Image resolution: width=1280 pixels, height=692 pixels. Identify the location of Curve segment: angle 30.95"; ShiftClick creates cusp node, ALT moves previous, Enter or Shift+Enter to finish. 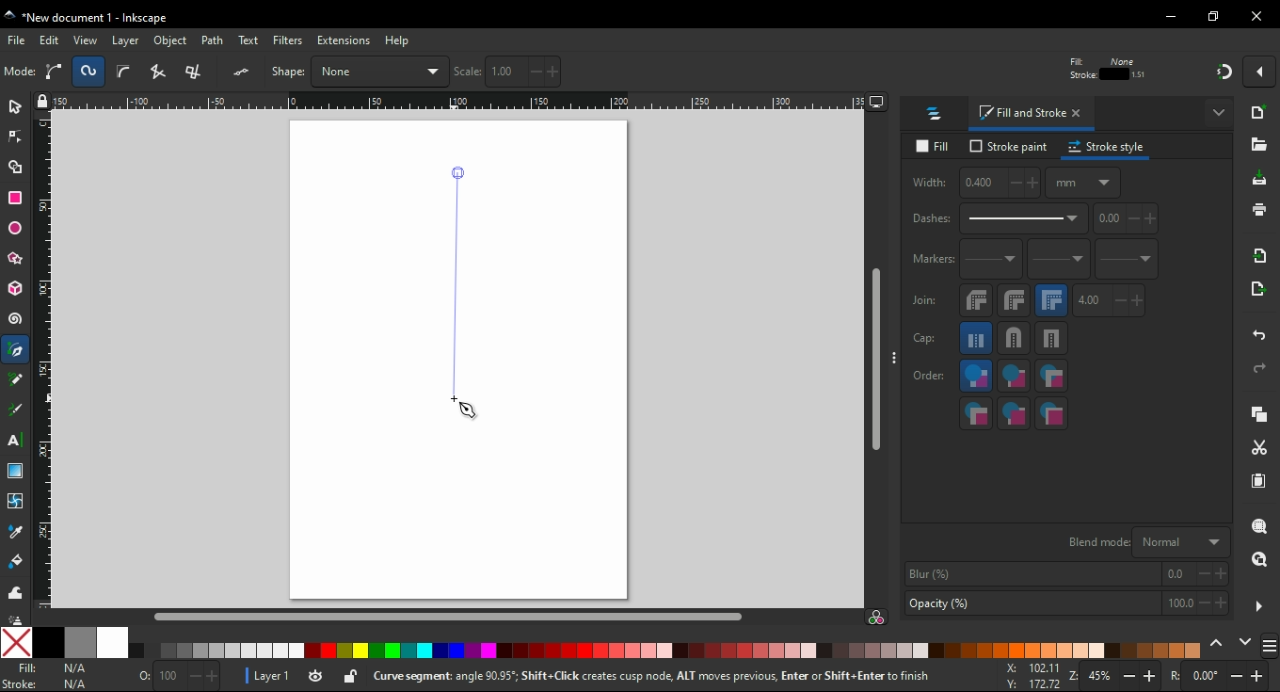
(638, 678).